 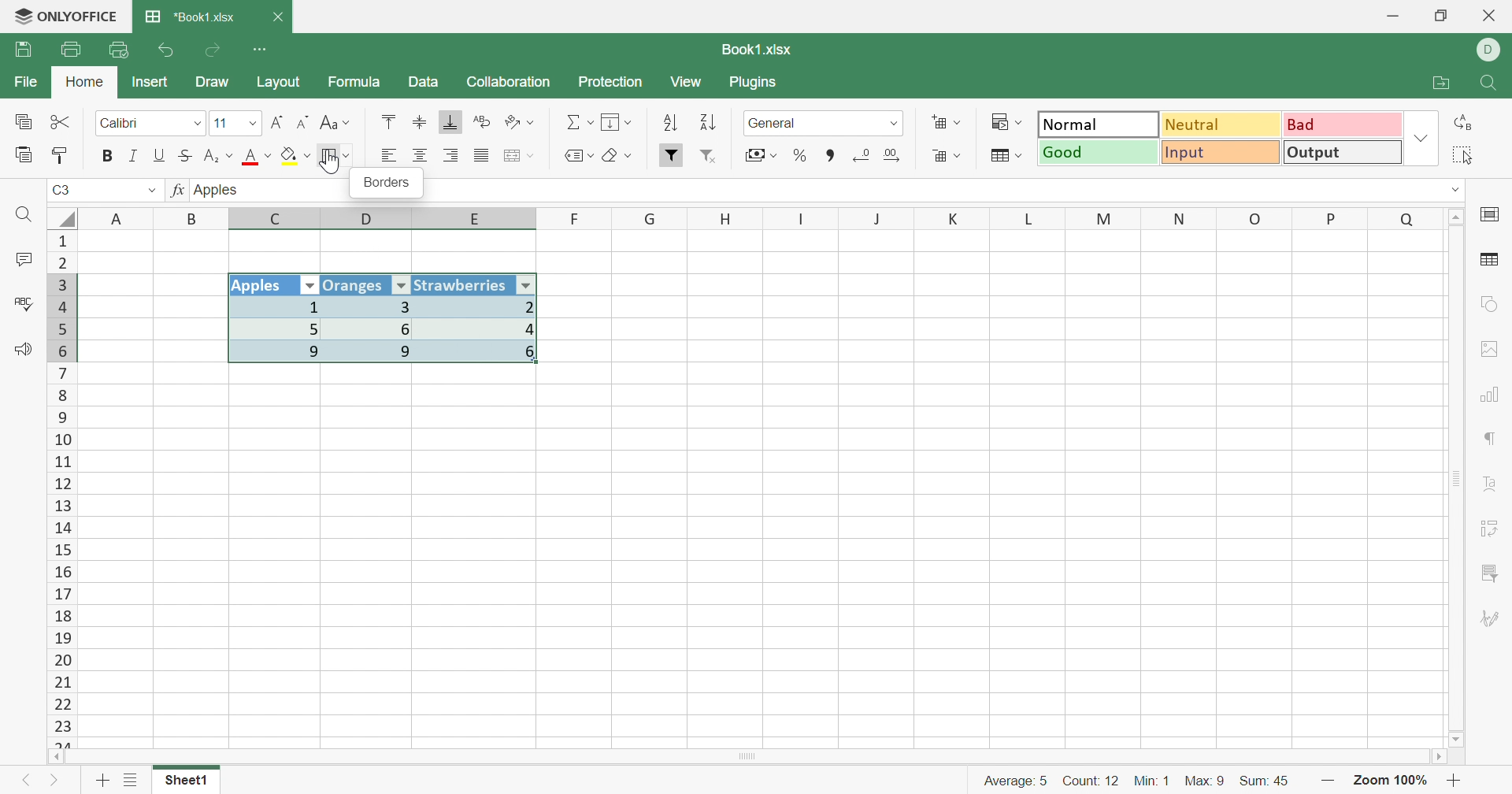 What do you see at coordinates (1343, 154) in the screenshot?
I see `Output` at bounding box center [1343, 154].